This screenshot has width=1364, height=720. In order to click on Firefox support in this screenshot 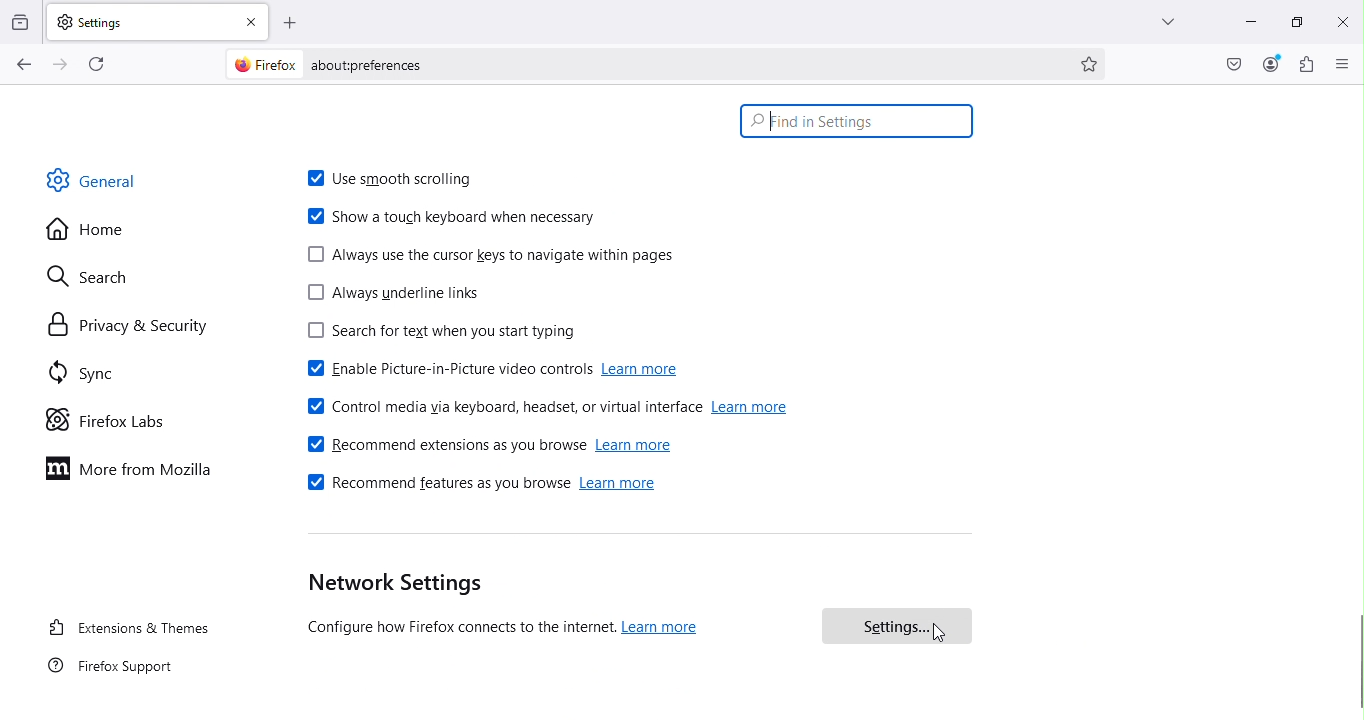, I will do `click(113, 670)`.